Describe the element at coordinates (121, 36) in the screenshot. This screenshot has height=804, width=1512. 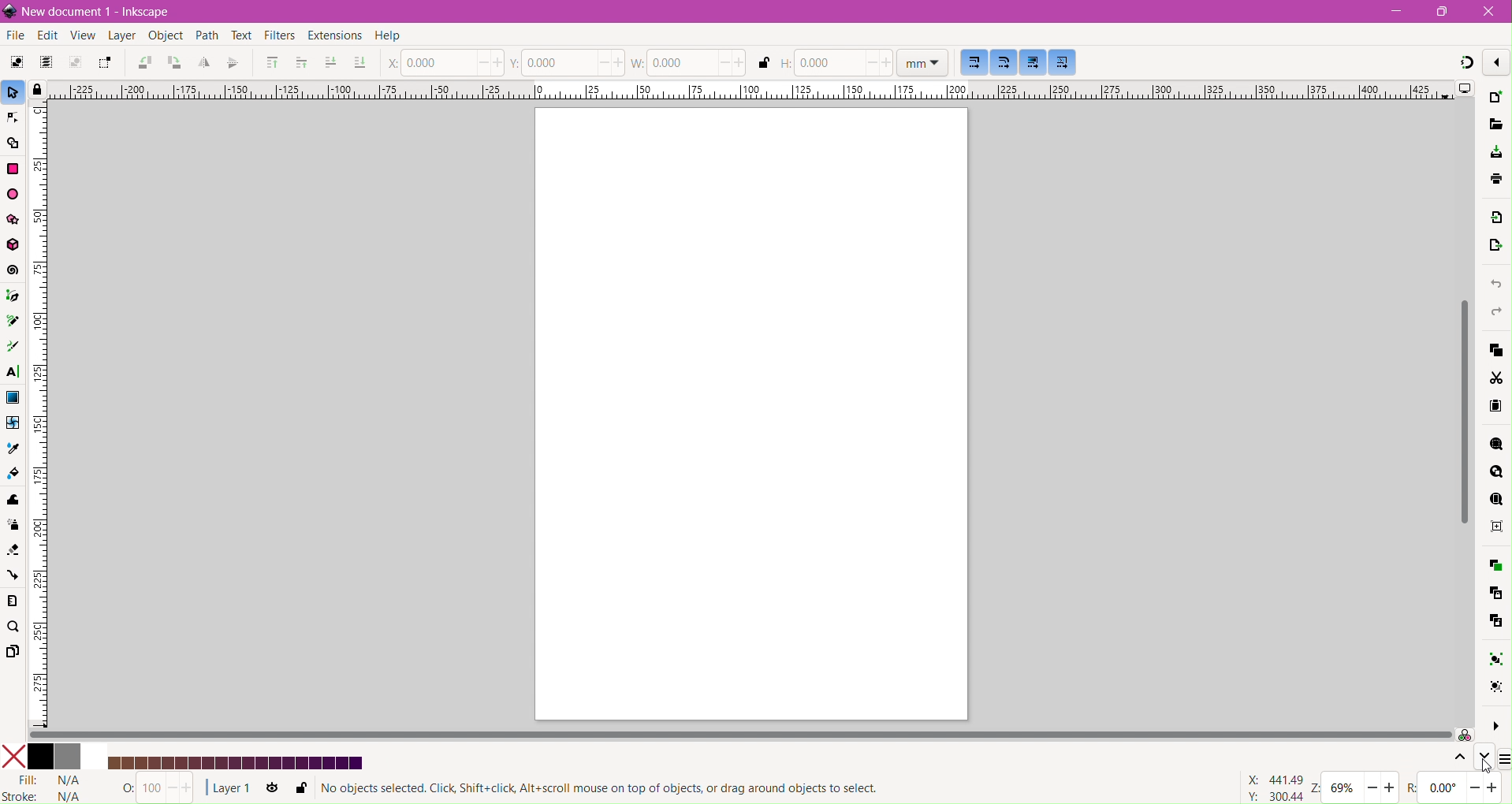
I see `Layer` at that location.